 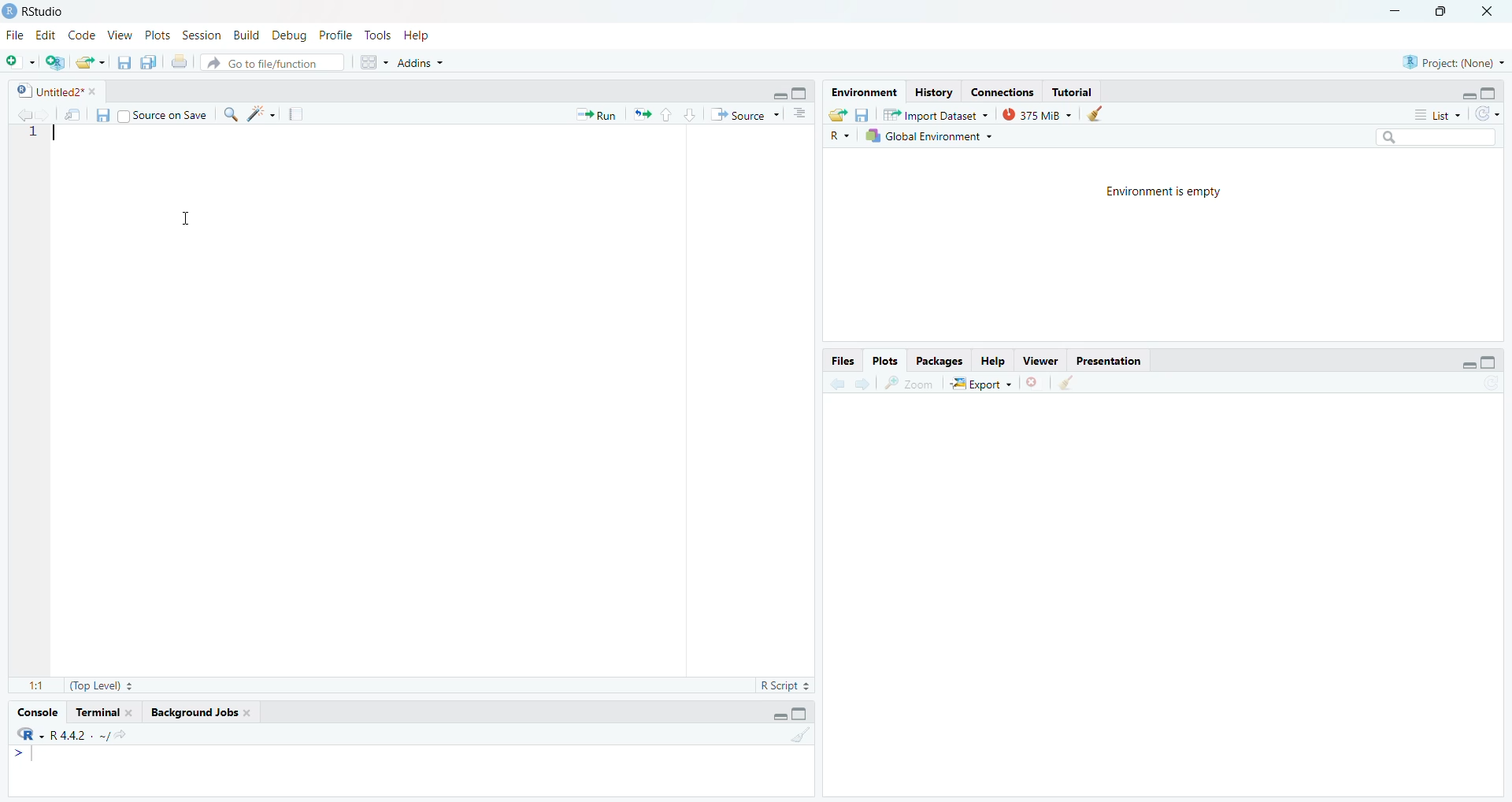 What do you see at coordinates (884, 359) in the screenshot?
I see `Plots` at bounding box center [884, 359].